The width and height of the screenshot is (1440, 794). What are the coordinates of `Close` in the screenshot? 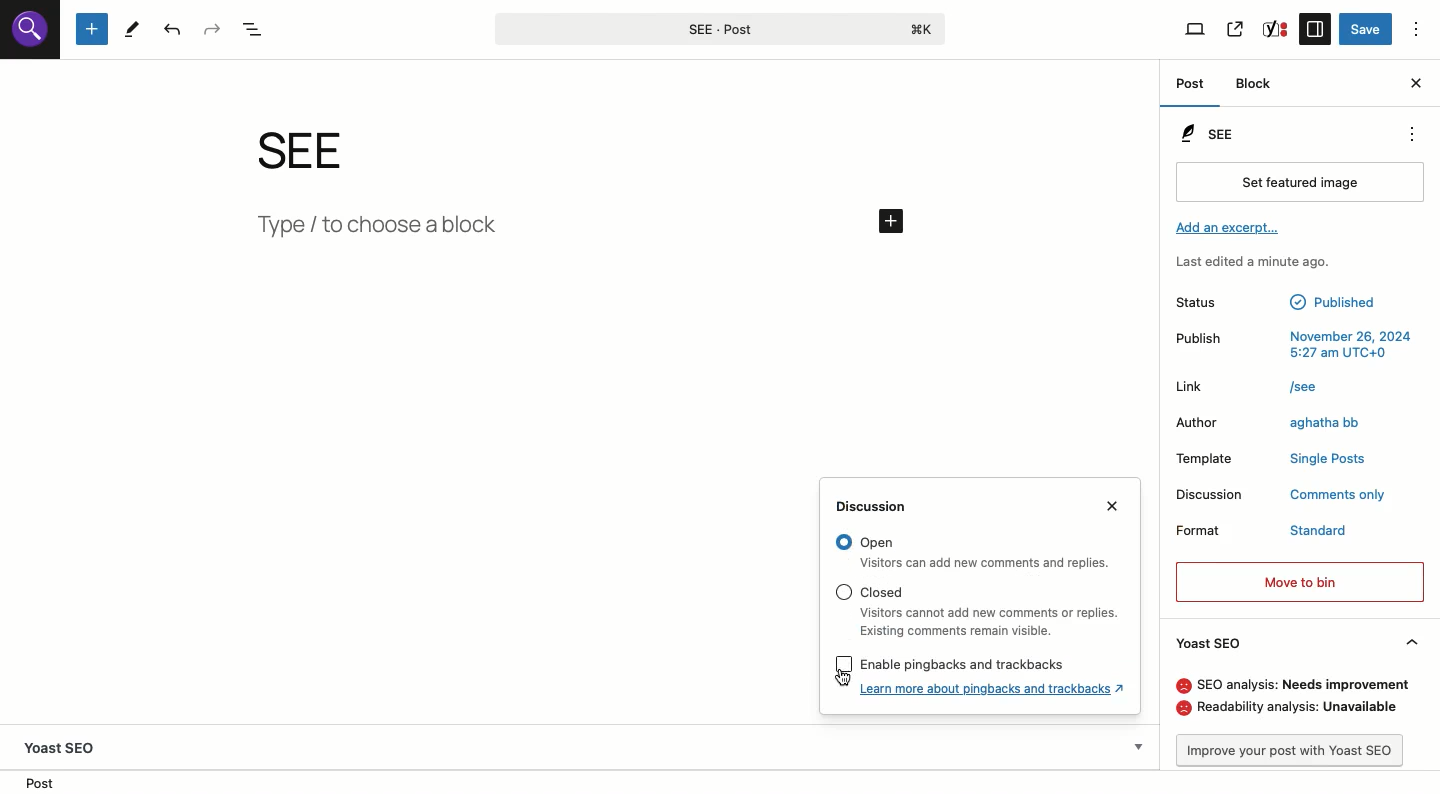 It's located at (1119, 508).